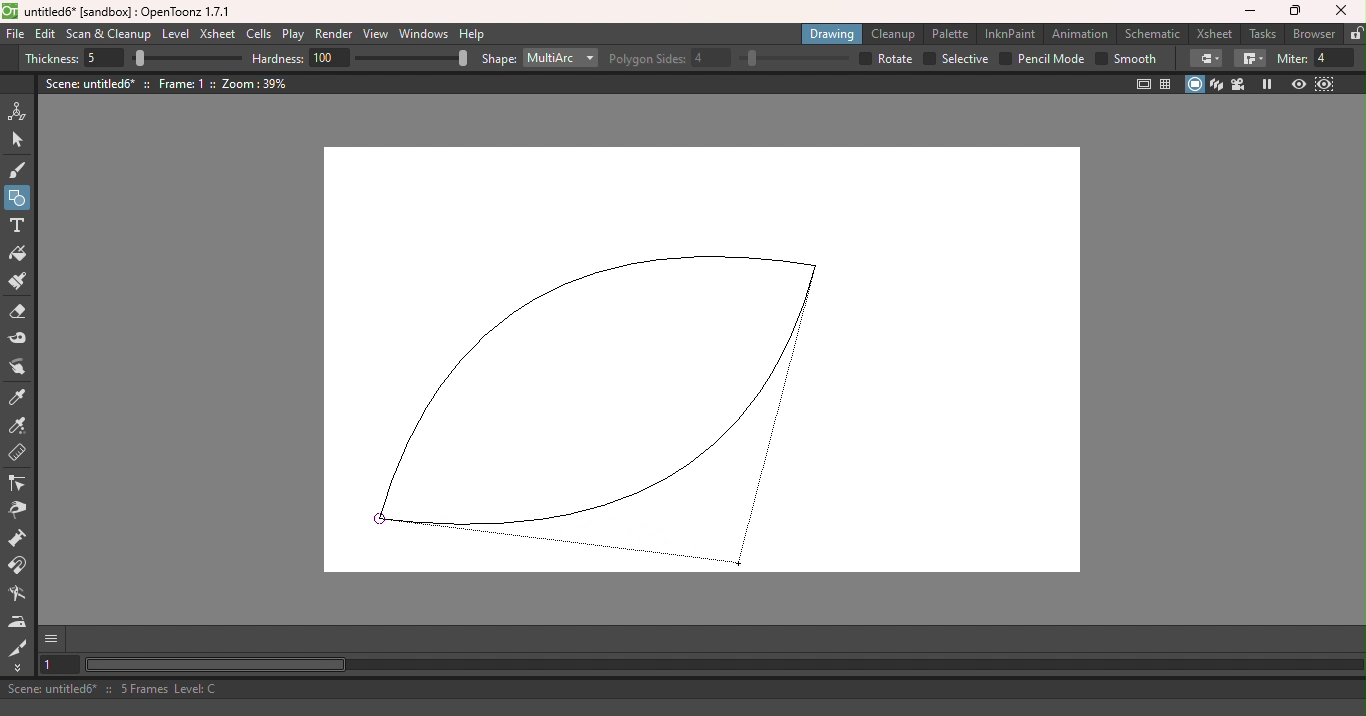 The image size is (1366, 716). Describe the element at coordinates (108, 34) in the screenshot. I see `Scan & Cleanup` at that location.